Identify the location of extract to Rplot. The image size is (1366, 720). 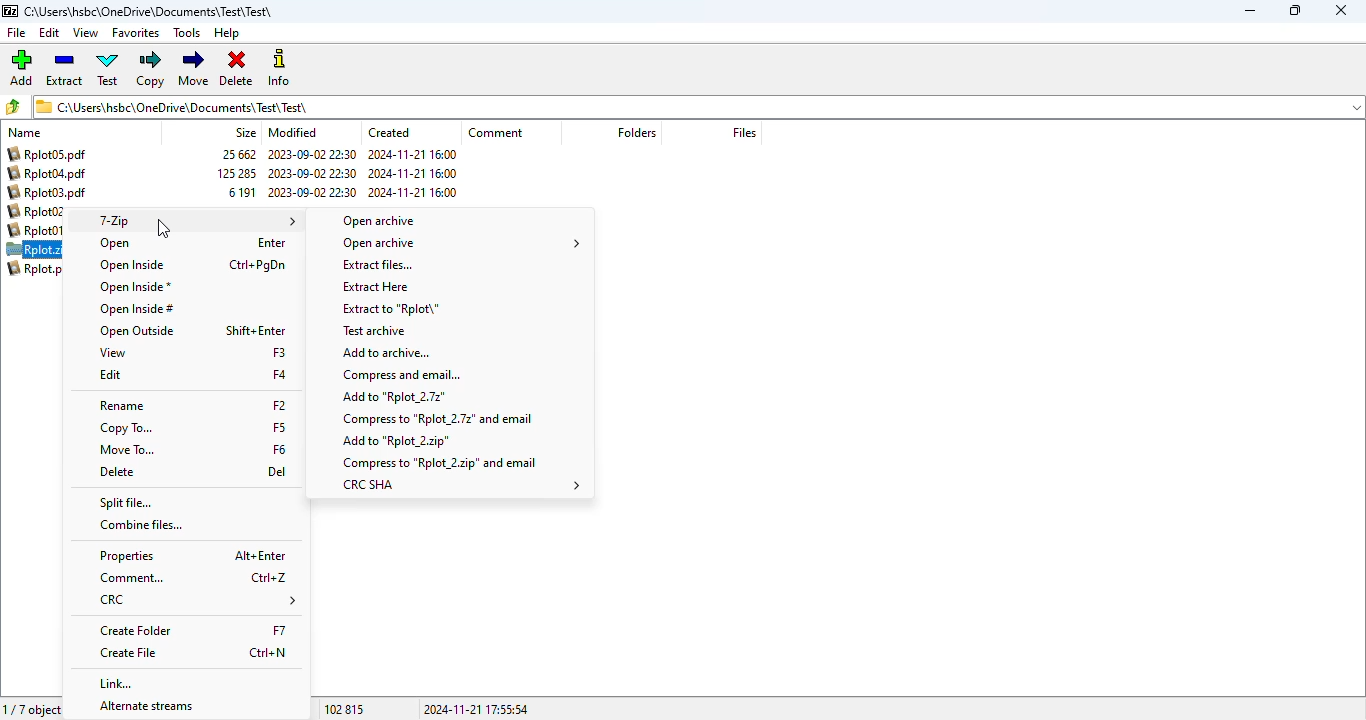
(390, 308).